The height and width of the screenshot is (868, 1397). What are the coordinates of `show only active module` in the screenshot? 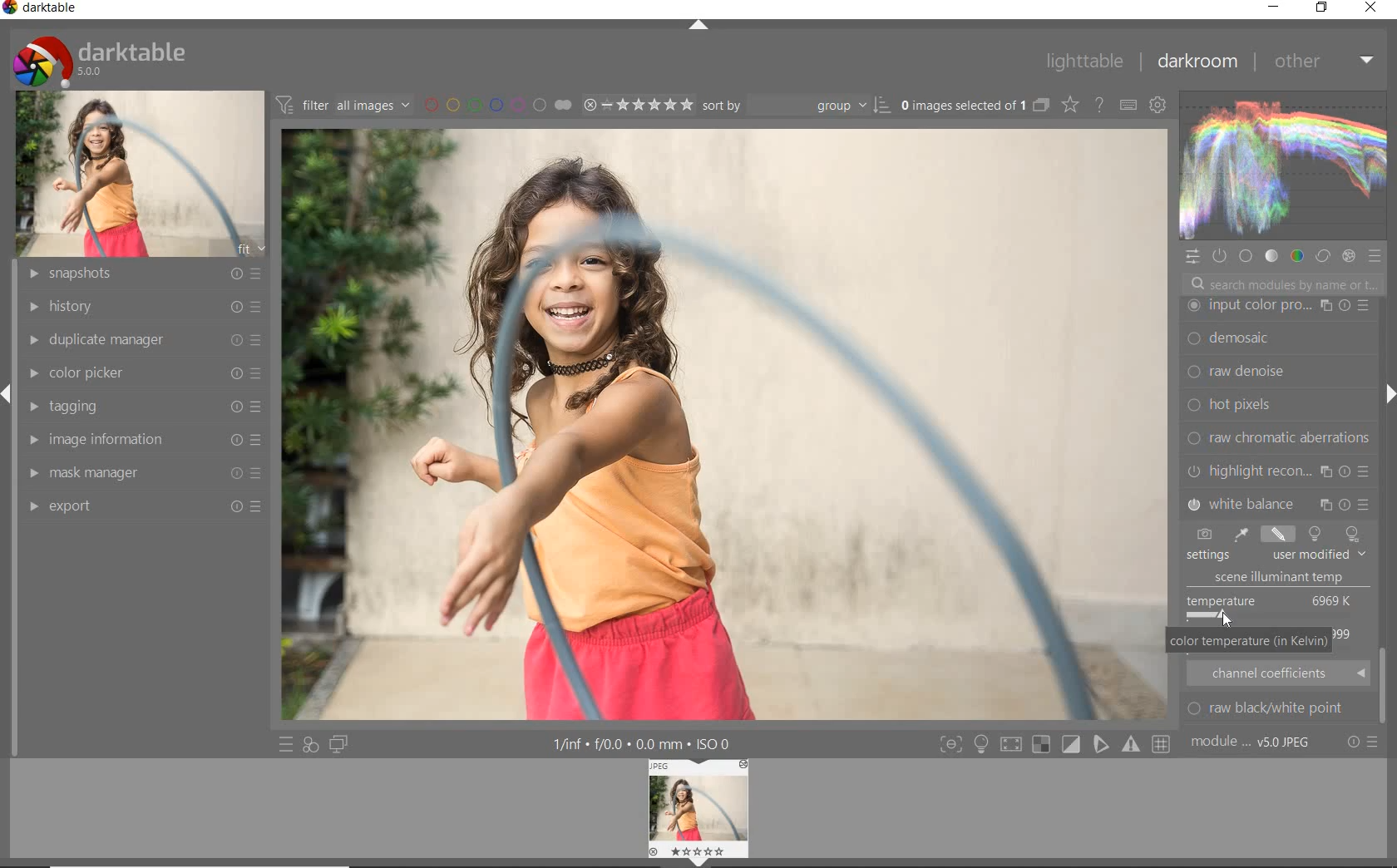 It's located at (1221, 257).